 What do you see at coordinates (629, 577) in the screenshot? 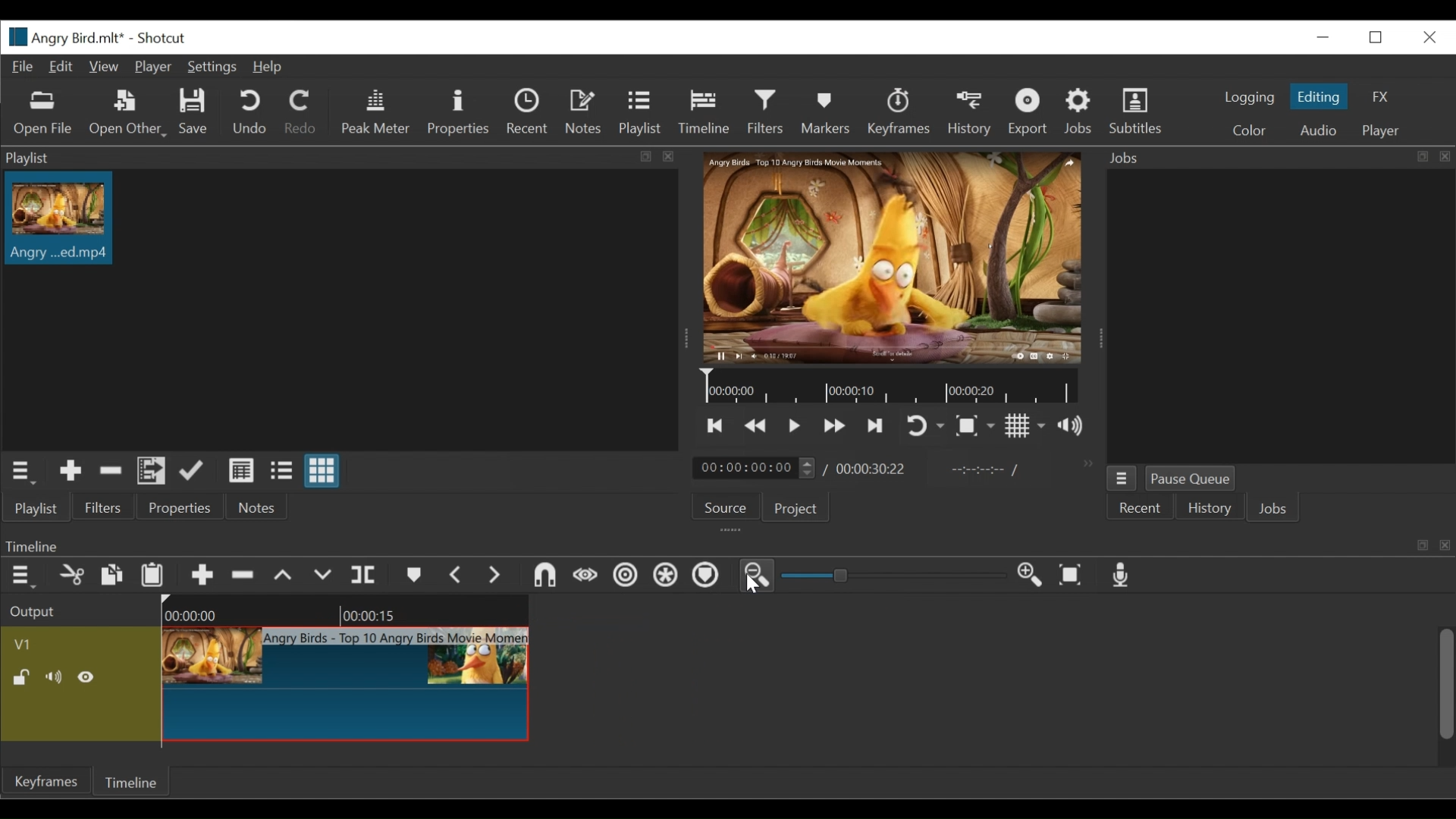
I see `Rippl` at bounding box center [629, 577].